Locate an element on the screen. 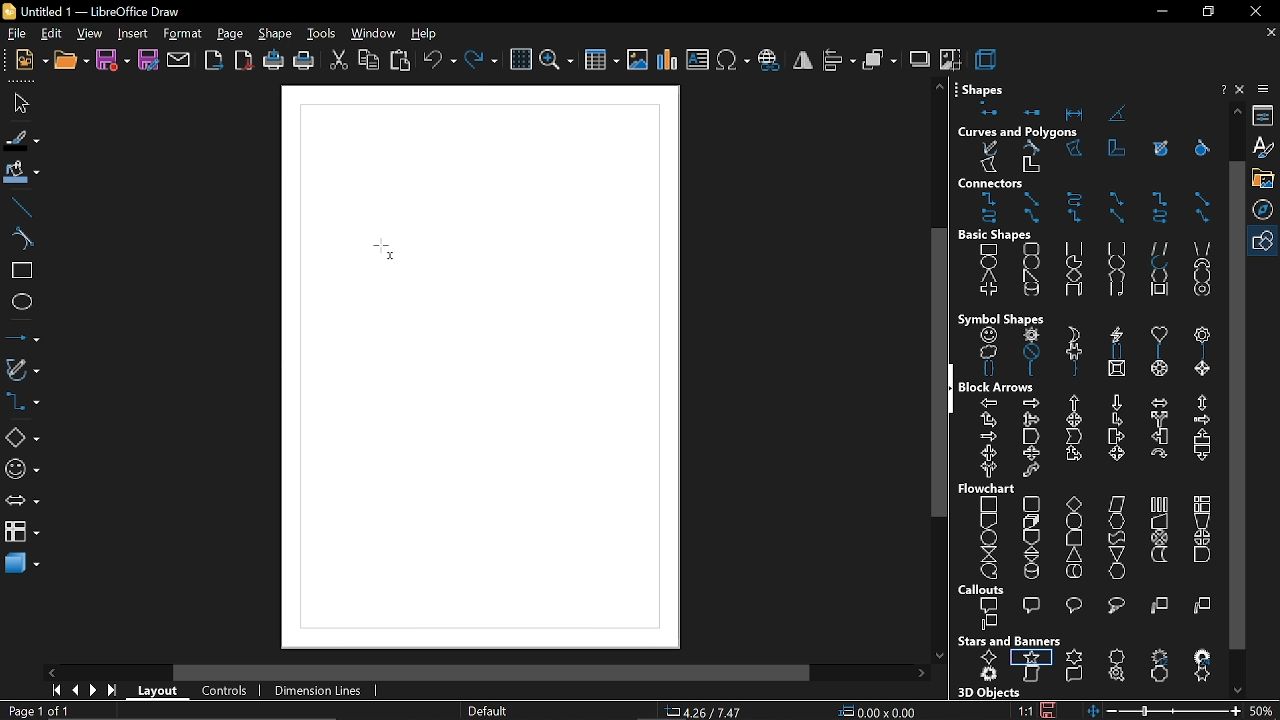  zoom is located at coordinates (557, 59).